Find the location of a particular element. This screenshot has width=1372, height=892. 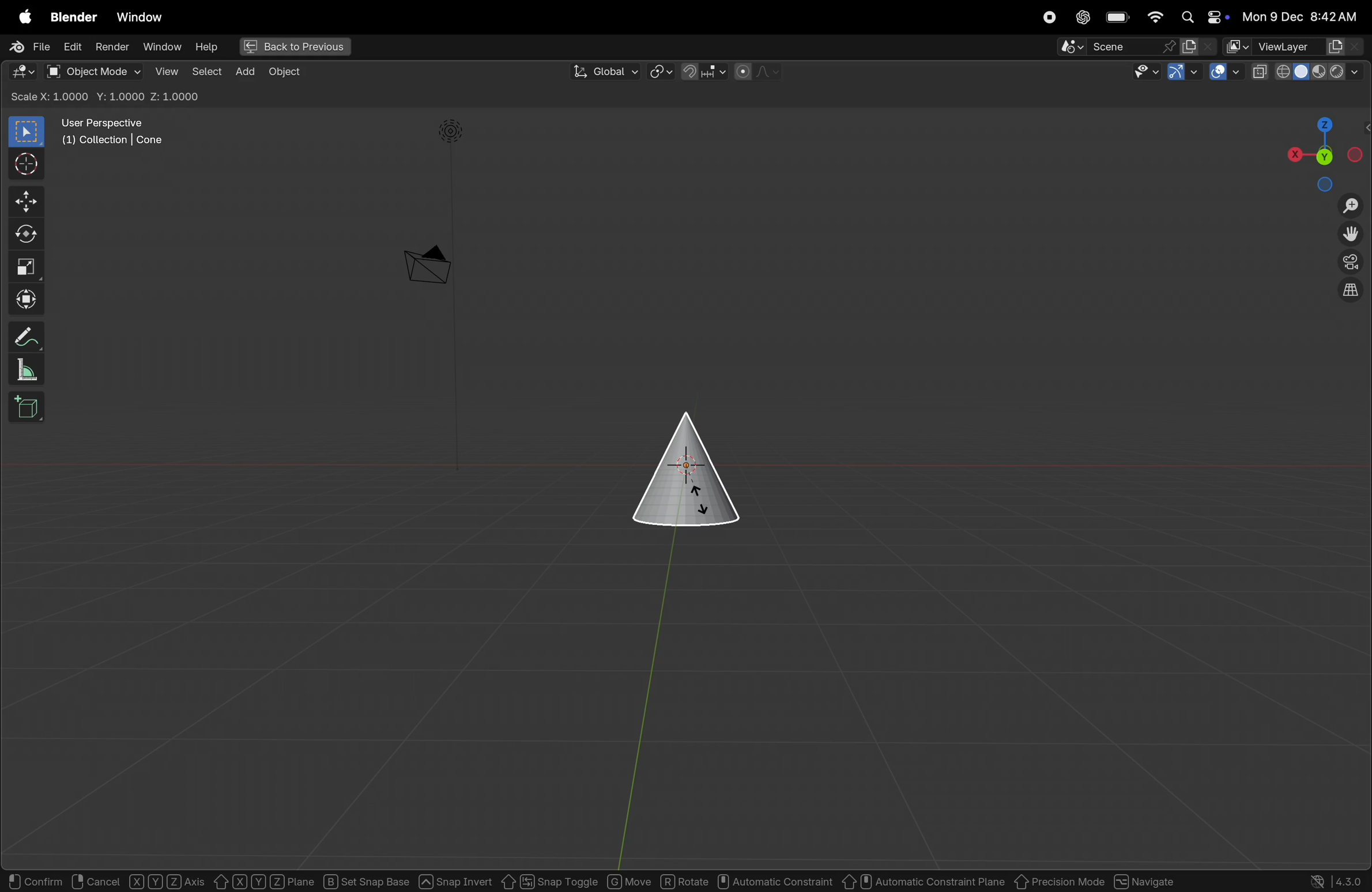

Transform is located at coordinates (25, 298).